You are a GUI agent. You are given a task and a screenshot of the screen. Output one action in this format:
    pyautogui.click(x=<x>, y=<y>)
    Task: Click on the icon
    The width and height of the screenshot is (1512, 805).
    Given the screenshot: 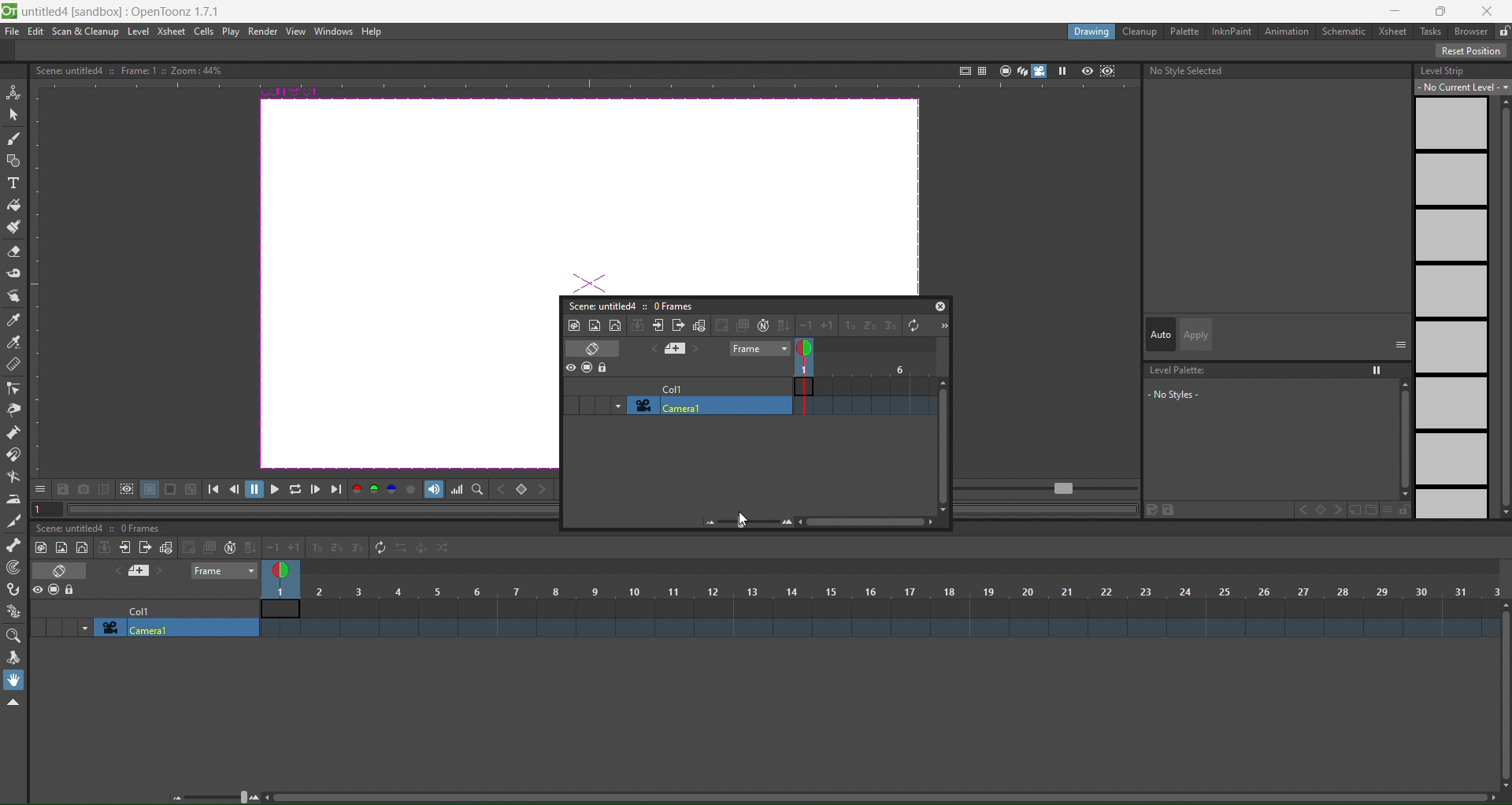 What is the action you would take?
    pyautogui.click(x=117, y=490)
    